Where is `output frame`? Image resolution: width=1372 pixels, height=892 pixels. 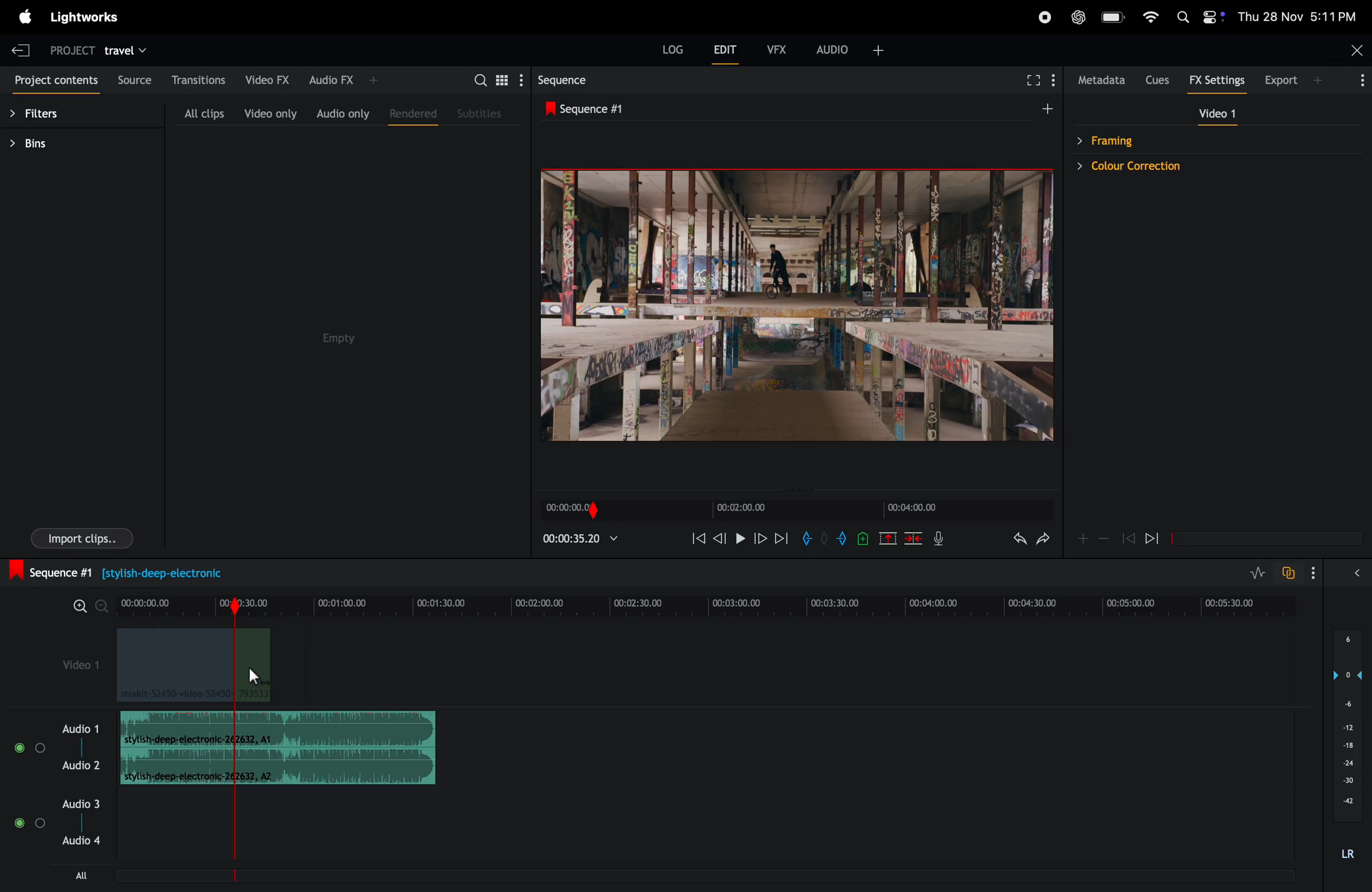
output frame is located at coordinates (795, 311).